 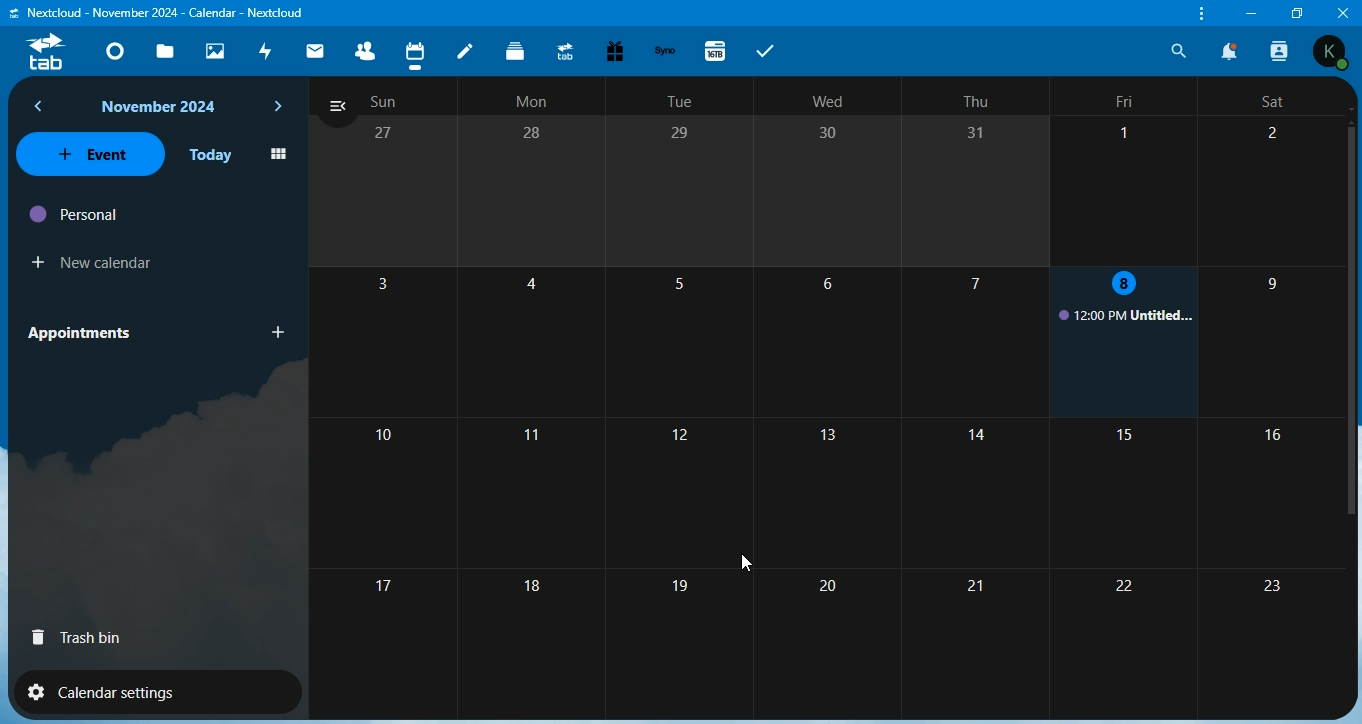 What do you see at coordinates (167, 51) in the screenshot?
I see `files` at bounding box center [167, 51].